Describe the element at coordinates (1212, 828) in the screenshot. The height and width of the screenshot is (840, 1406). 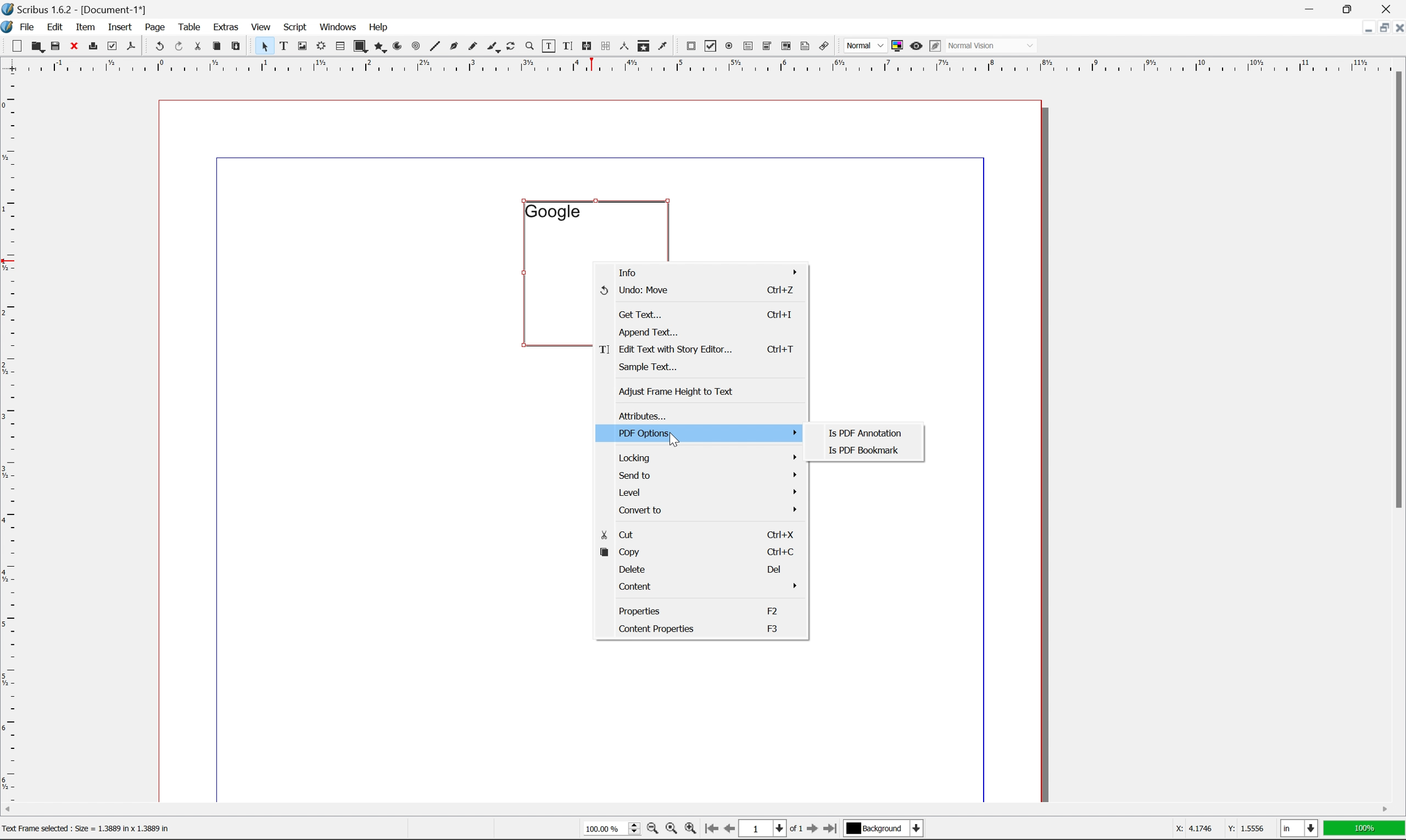
I see `coordinates` at that location.